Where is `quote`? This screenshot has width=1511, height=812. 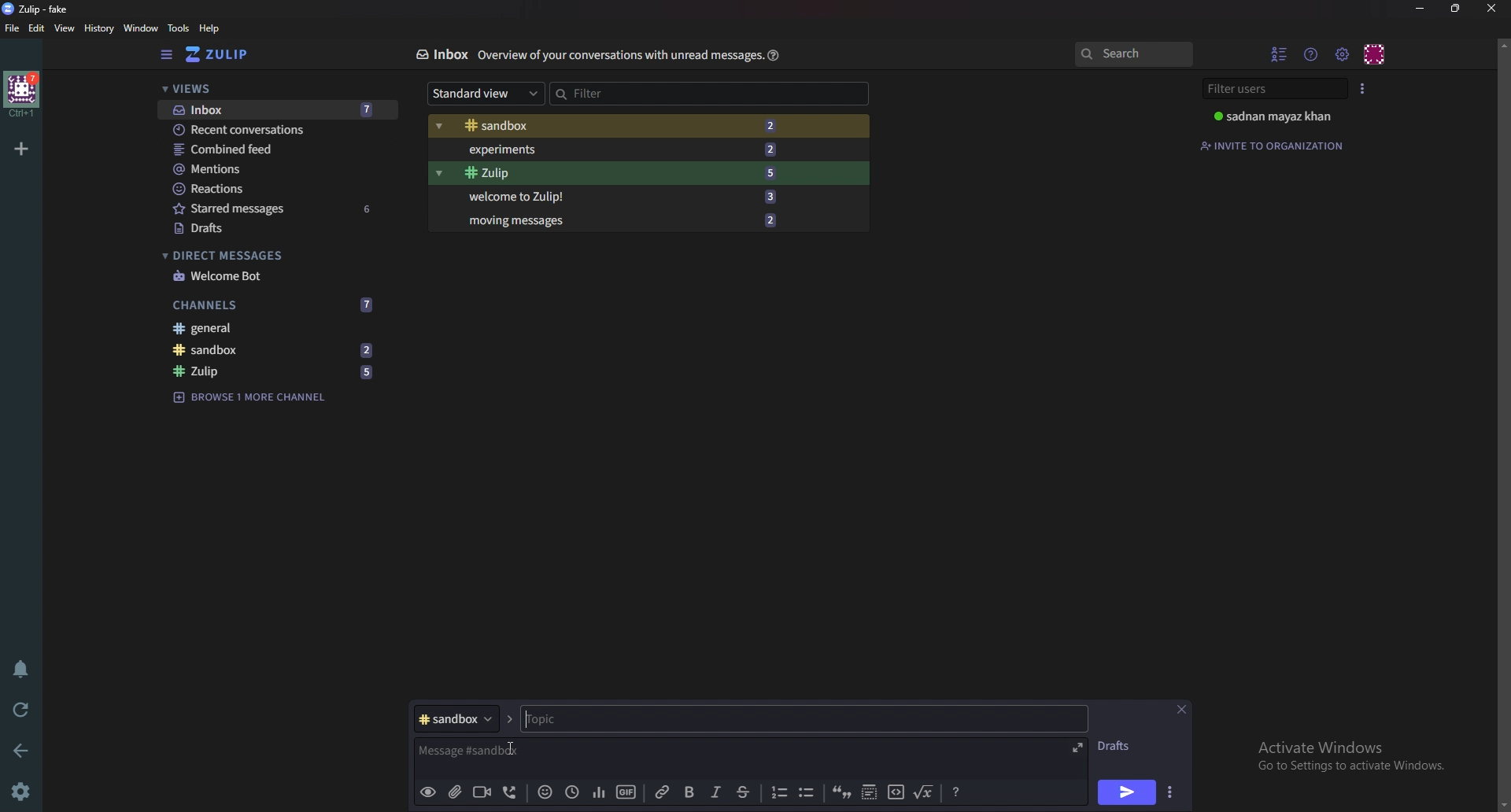 quote is located at coordinates (840, 791).